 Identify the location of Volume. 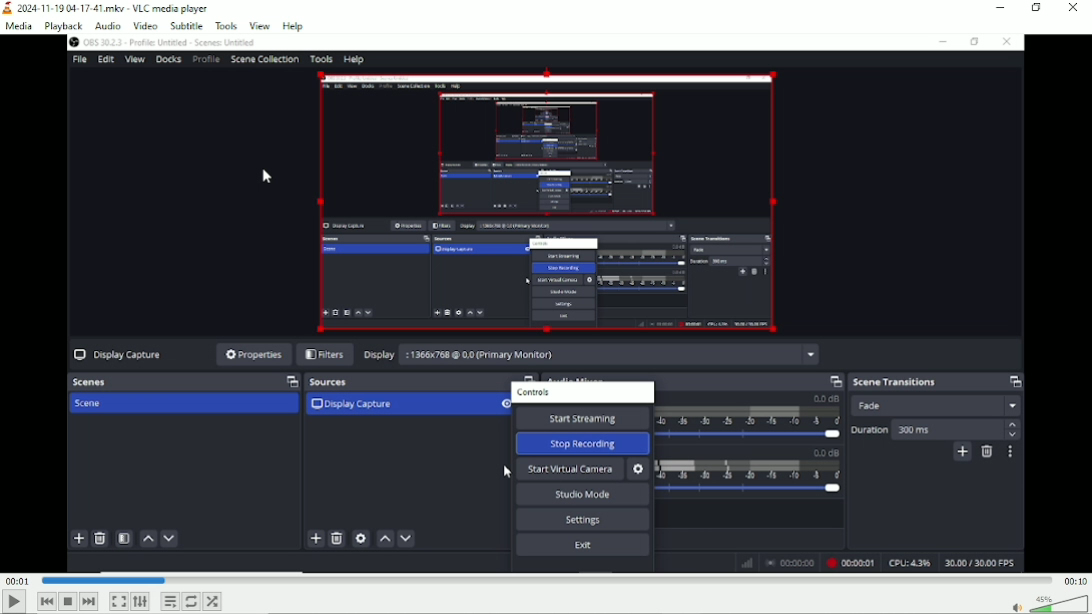
(1046, 603).